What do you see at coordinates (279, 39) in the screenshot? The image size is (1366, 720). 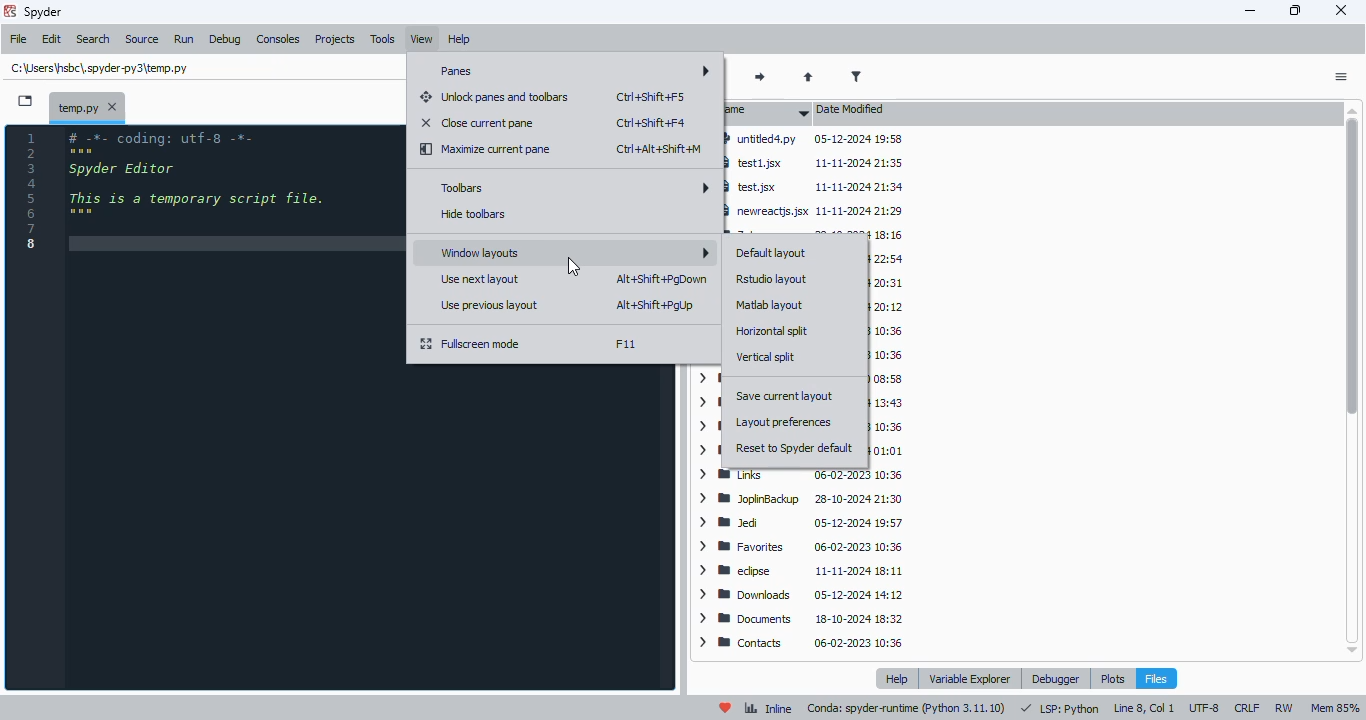 I see `consoles` at bounding box center [279, 39].